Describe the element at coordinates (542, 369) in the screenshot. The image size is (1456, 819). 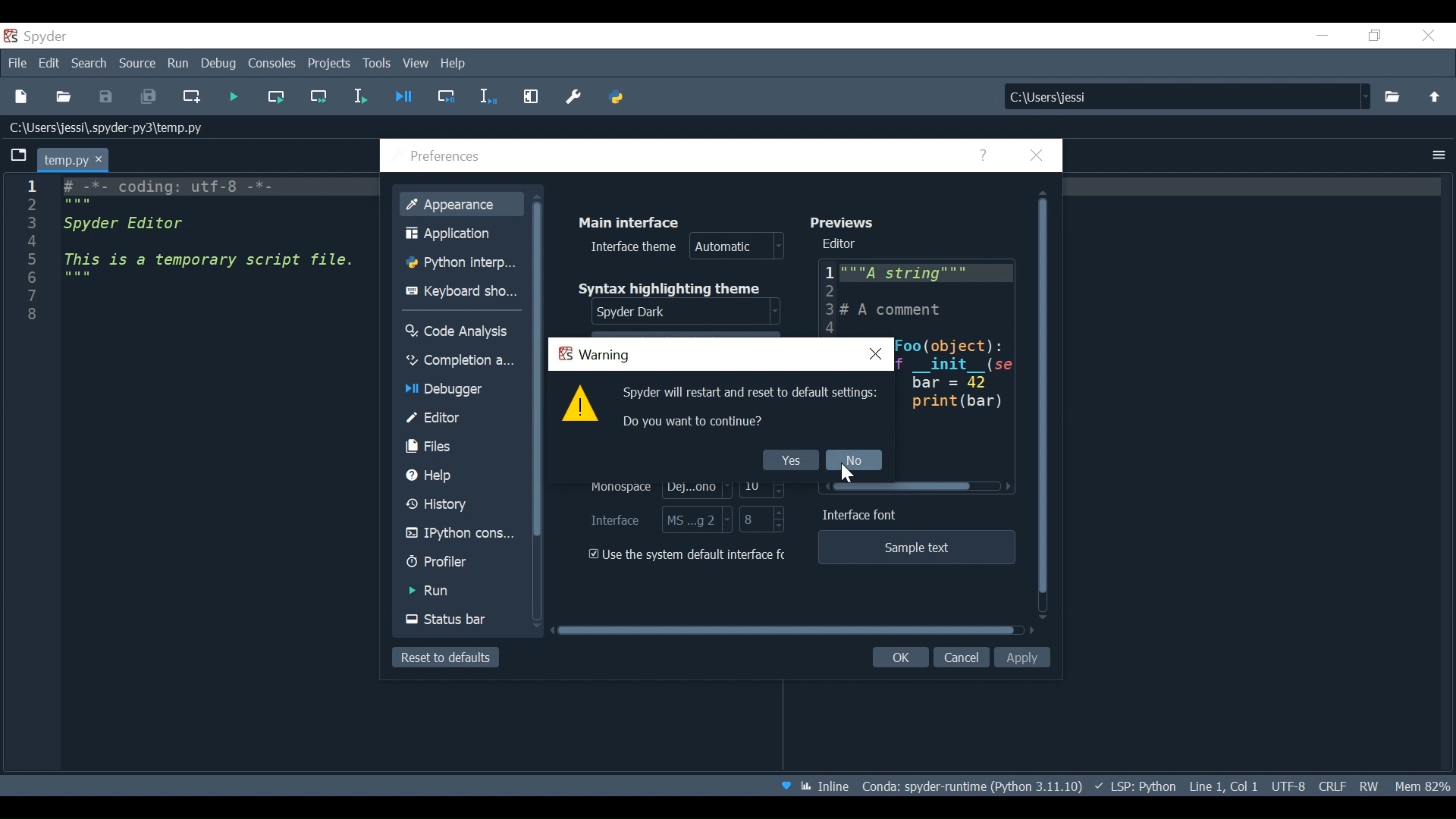
I see `Vertical scroll bar` at that location.